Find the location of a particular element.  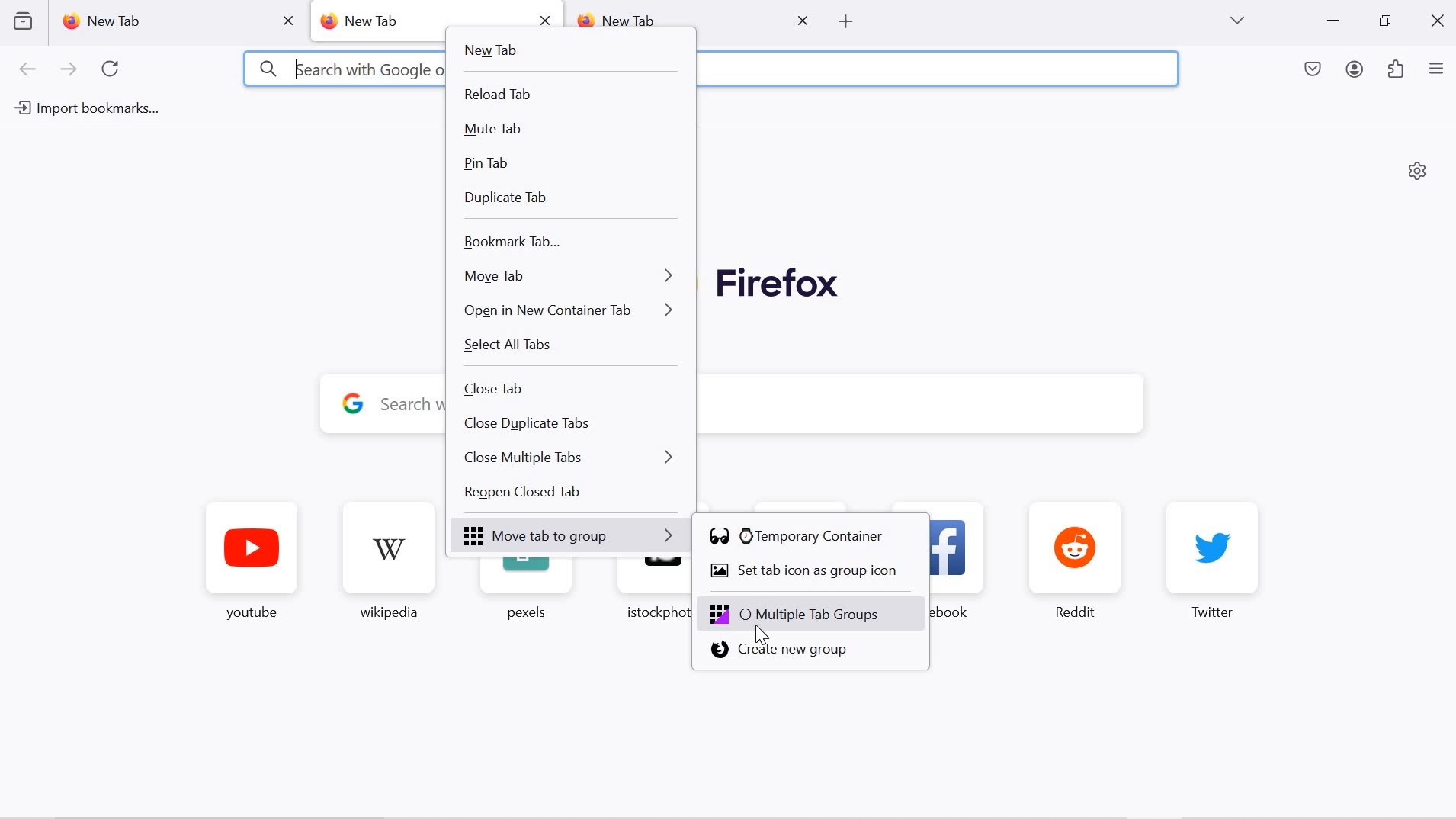

new tab is located at coordinates (572, 55).